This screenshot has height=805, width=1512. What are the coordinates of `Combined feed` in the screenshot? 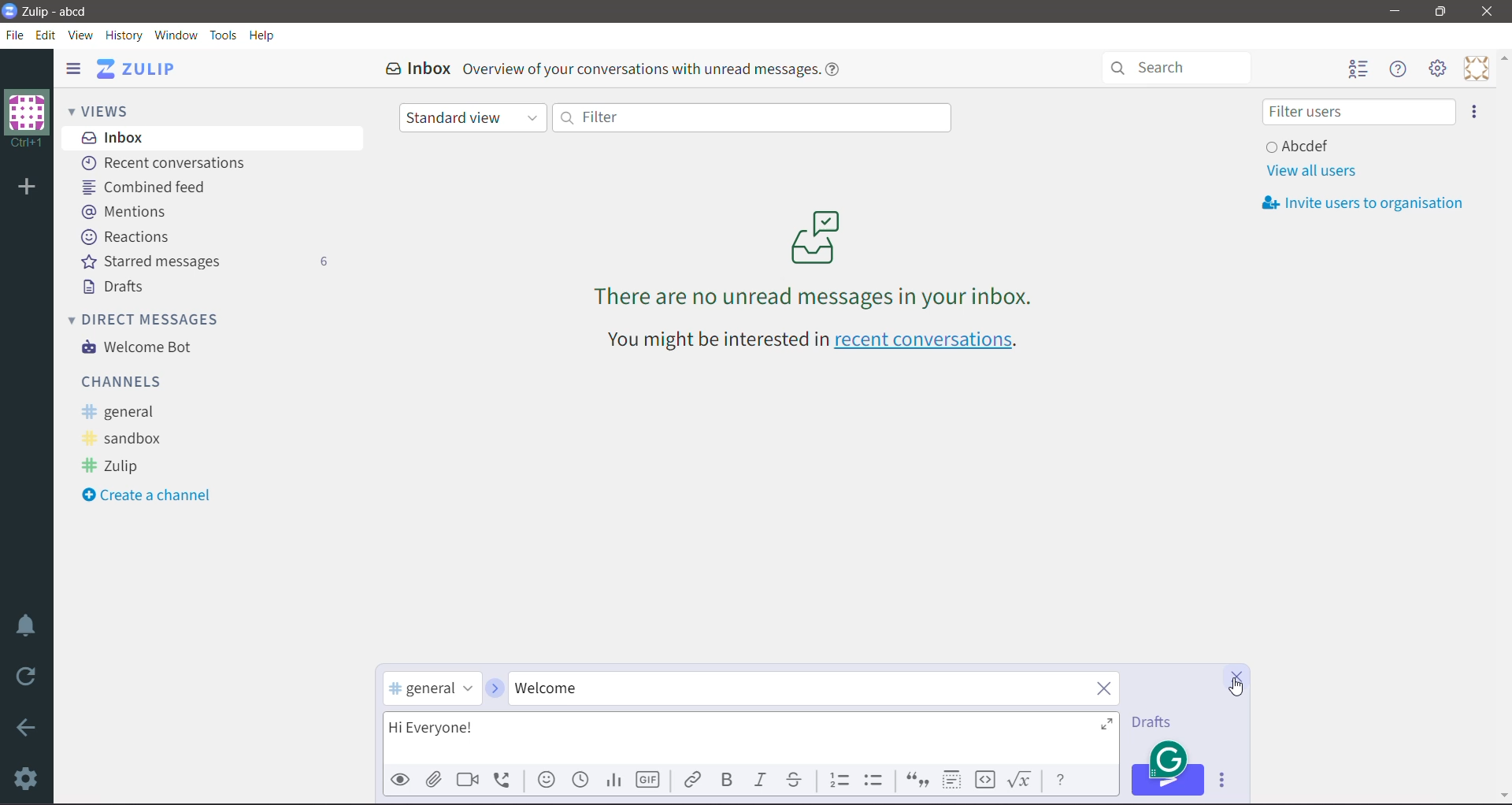 It's located at (150, 187).